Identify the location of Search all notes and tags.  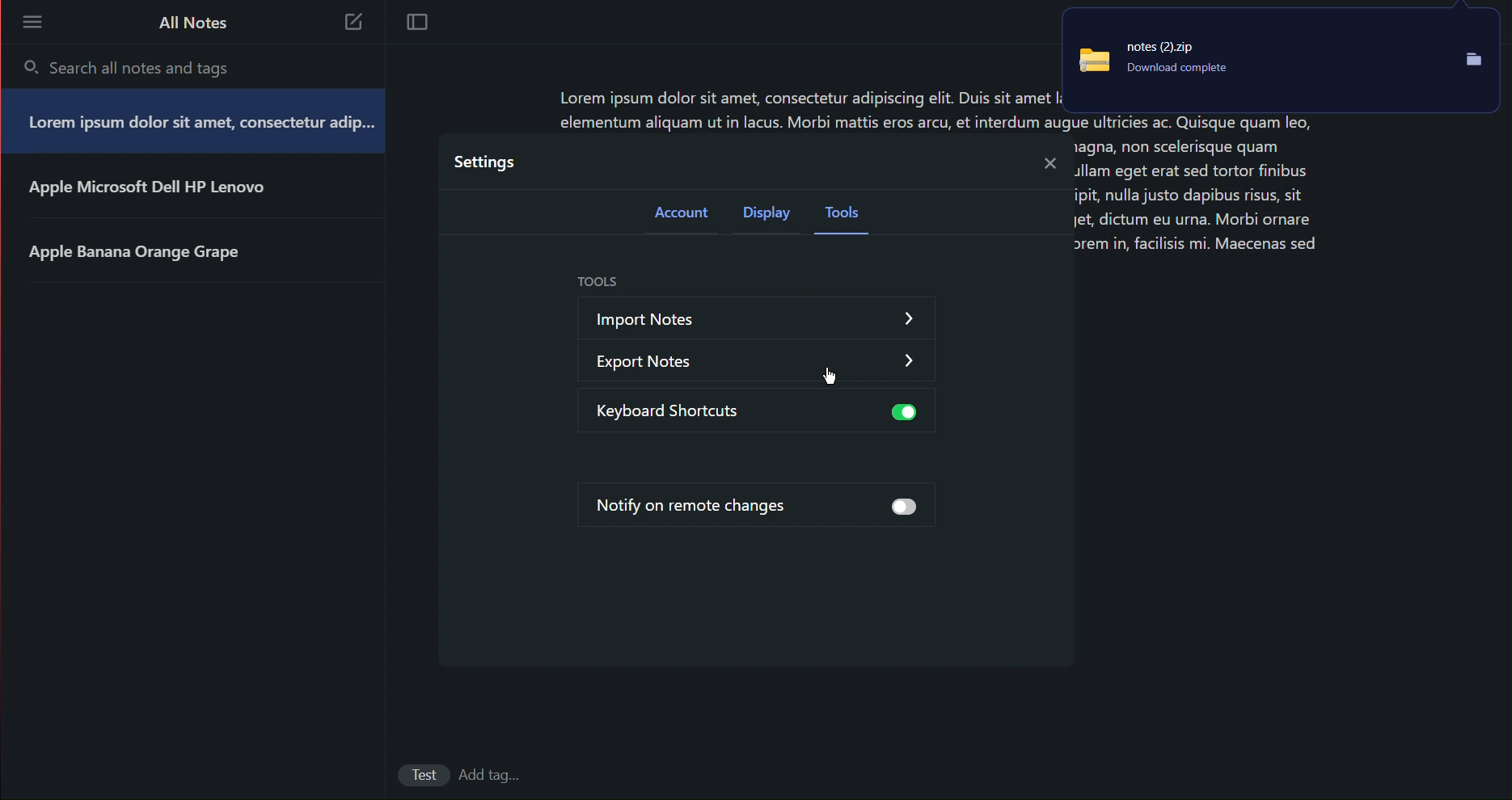
(153, 64).